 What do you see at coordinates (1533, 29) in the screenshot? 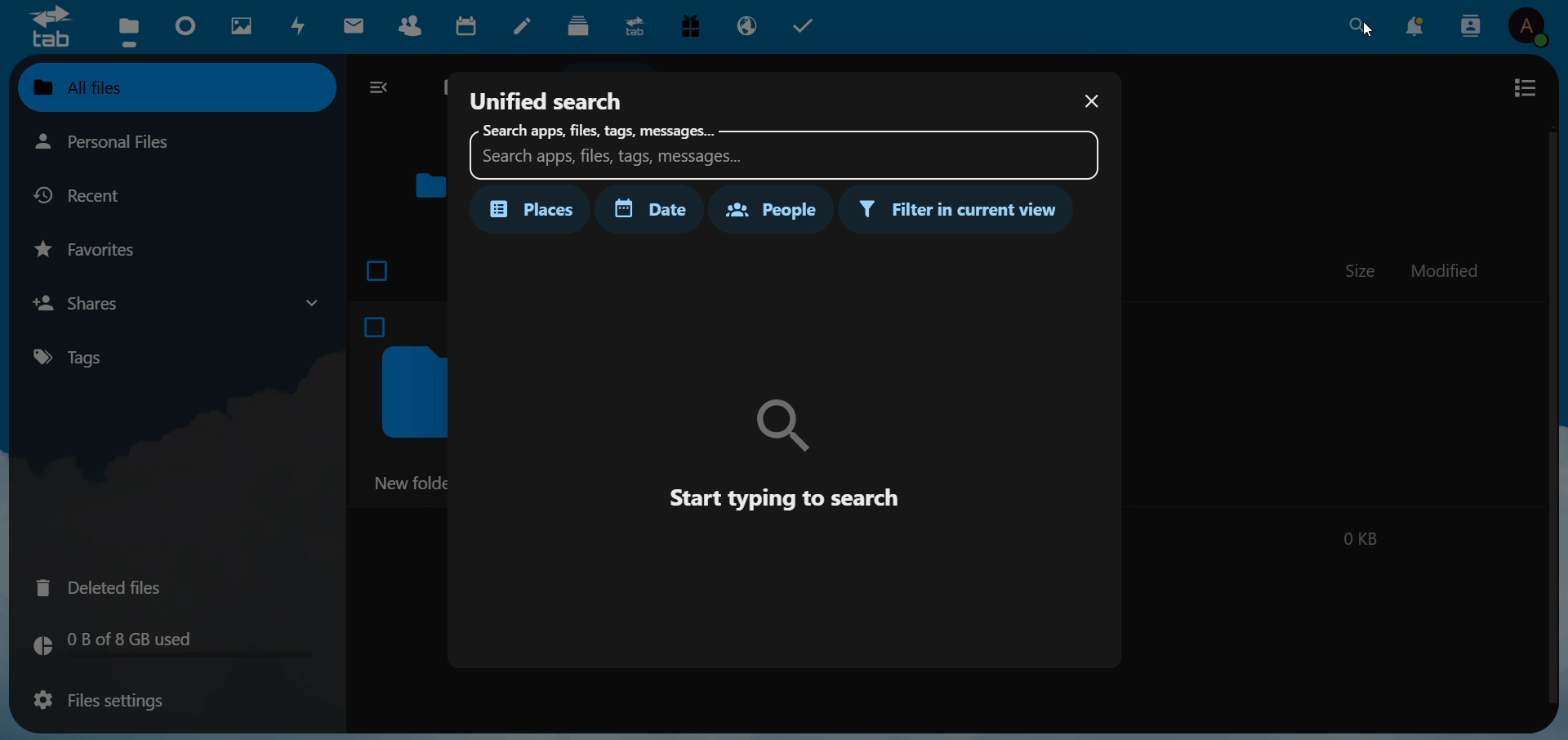
I see `user` at bounding box center [1533, 29].